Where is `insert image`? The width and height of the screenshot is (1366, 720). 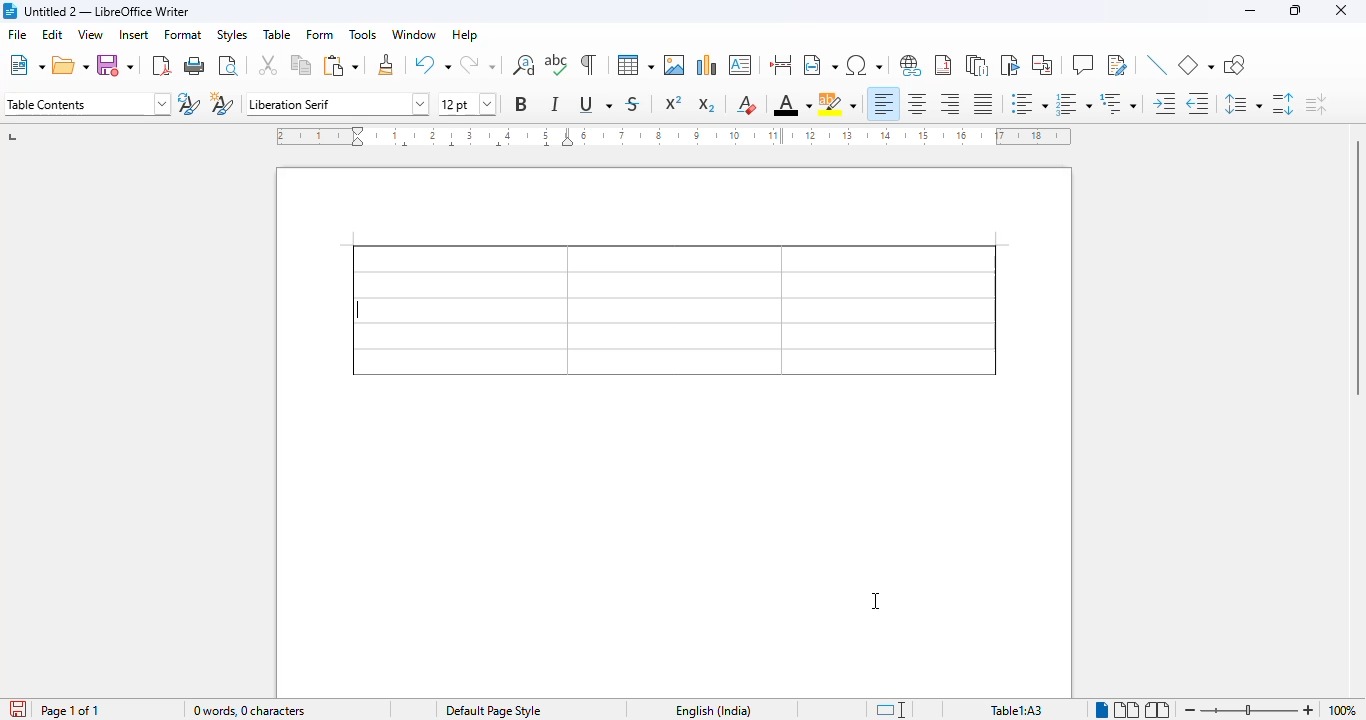
insert image is located at coordinates (674, 64).